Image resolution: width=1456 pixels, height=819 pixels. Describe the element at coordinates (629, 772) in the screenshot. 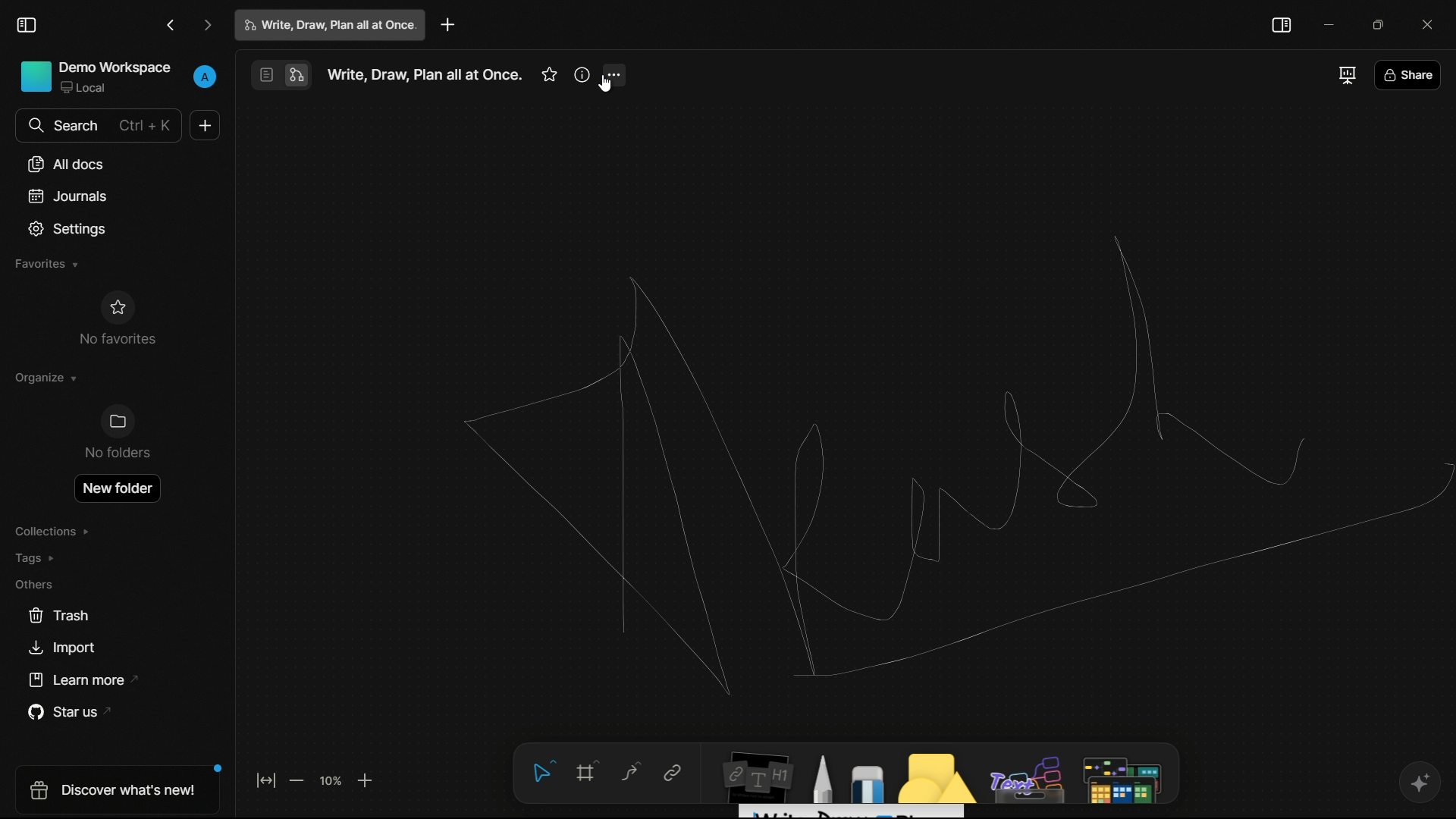

I see `curve` at that location.